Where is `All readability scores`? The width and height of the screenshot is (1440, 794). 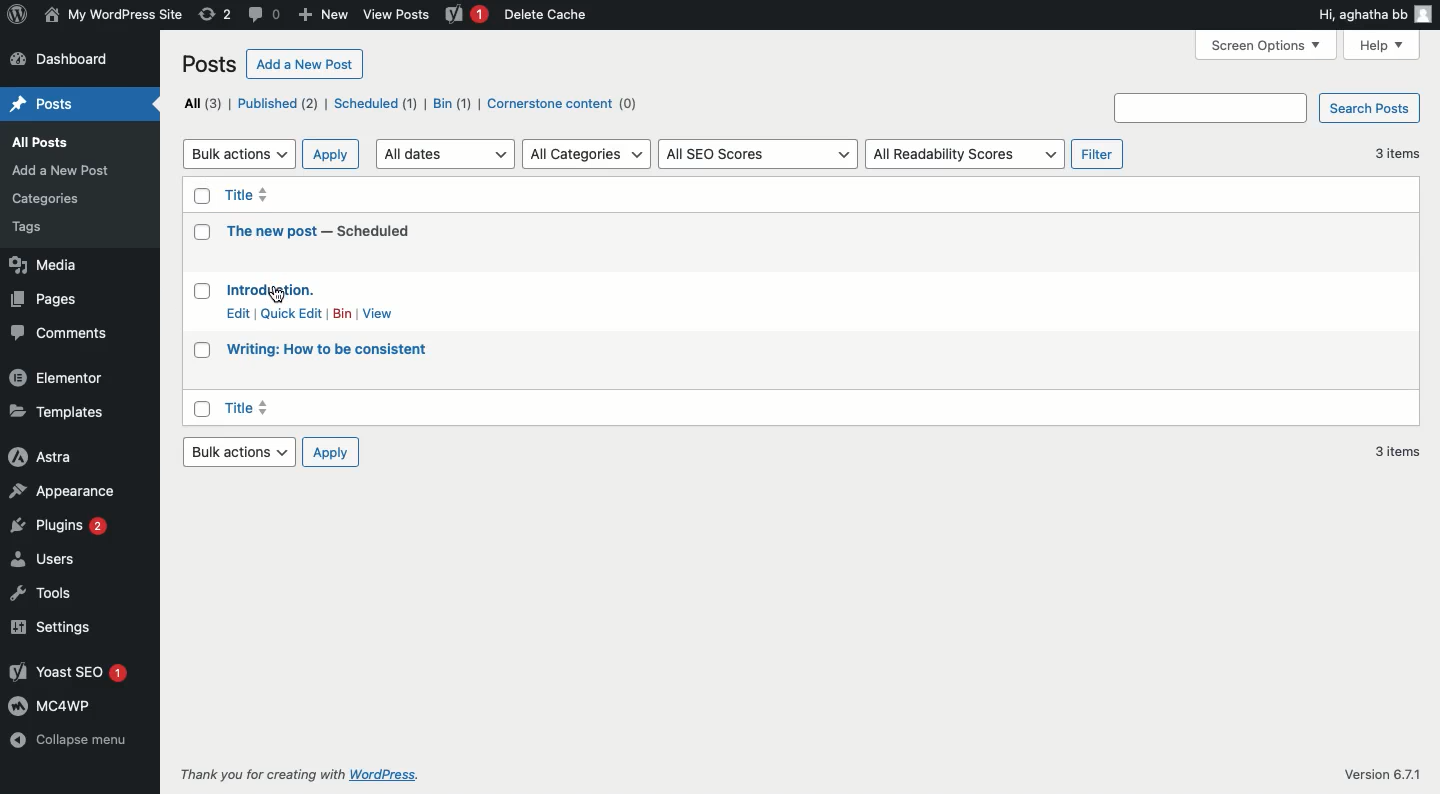
All readability scores is located at coordinates (964, 155).